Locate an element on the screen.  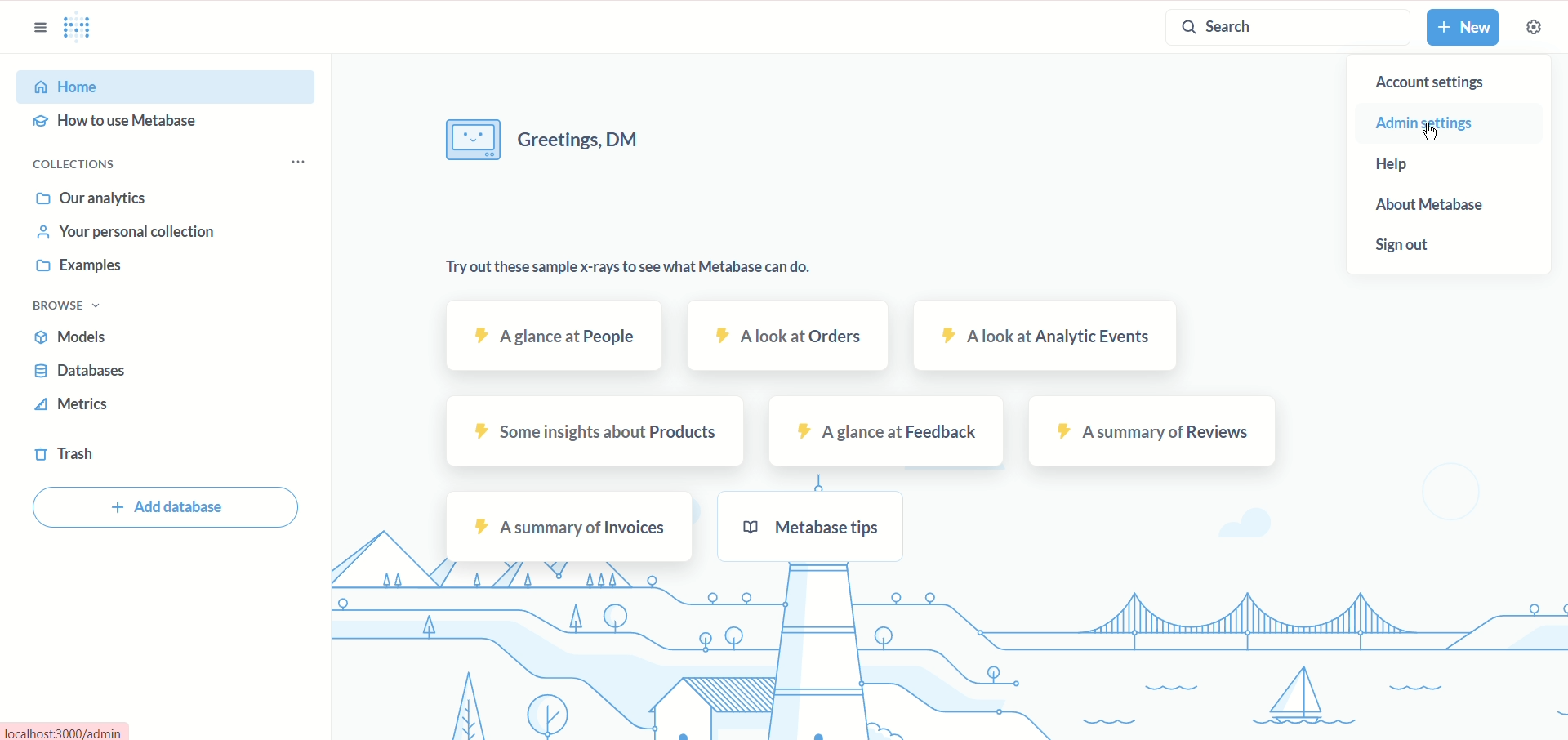
Add database is located at coordinates (171, 507).